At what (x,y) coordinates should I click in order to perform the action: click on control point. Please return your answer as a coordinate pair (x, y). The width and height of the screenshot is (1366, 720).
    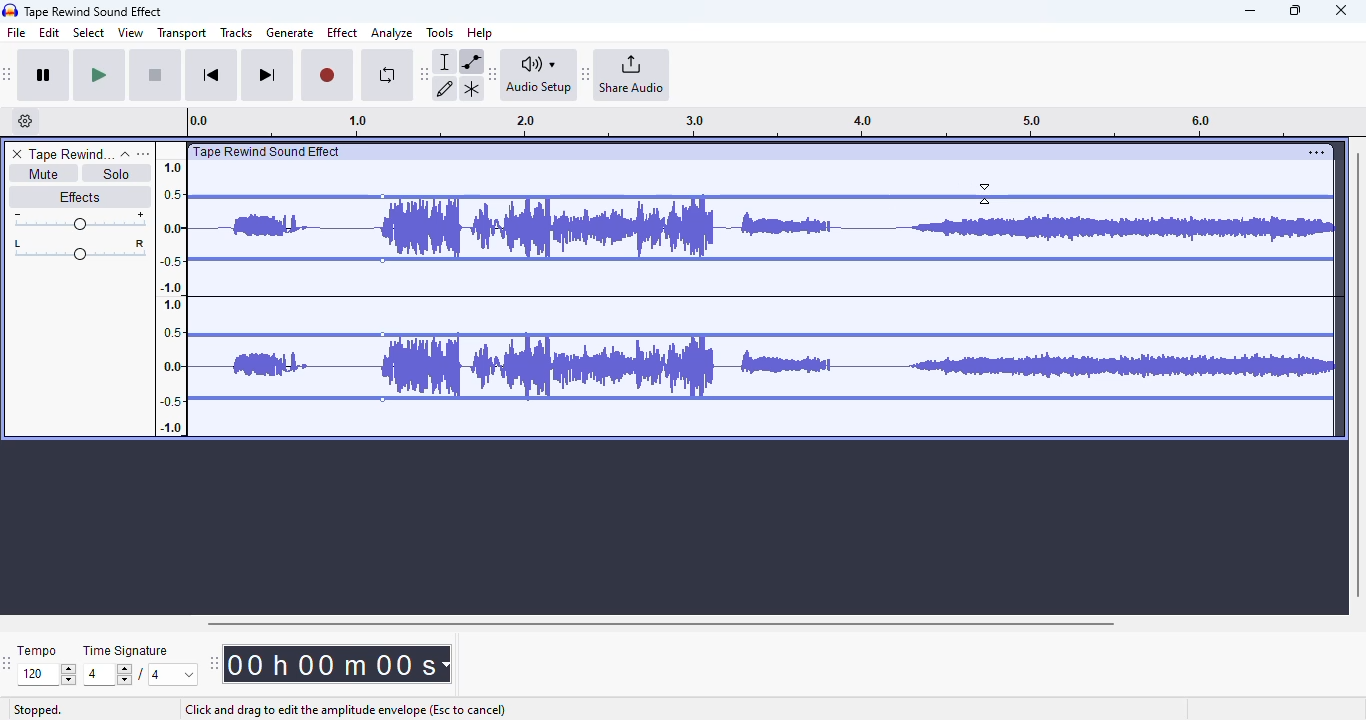
    Looking at the image, I should click on (382, 399).